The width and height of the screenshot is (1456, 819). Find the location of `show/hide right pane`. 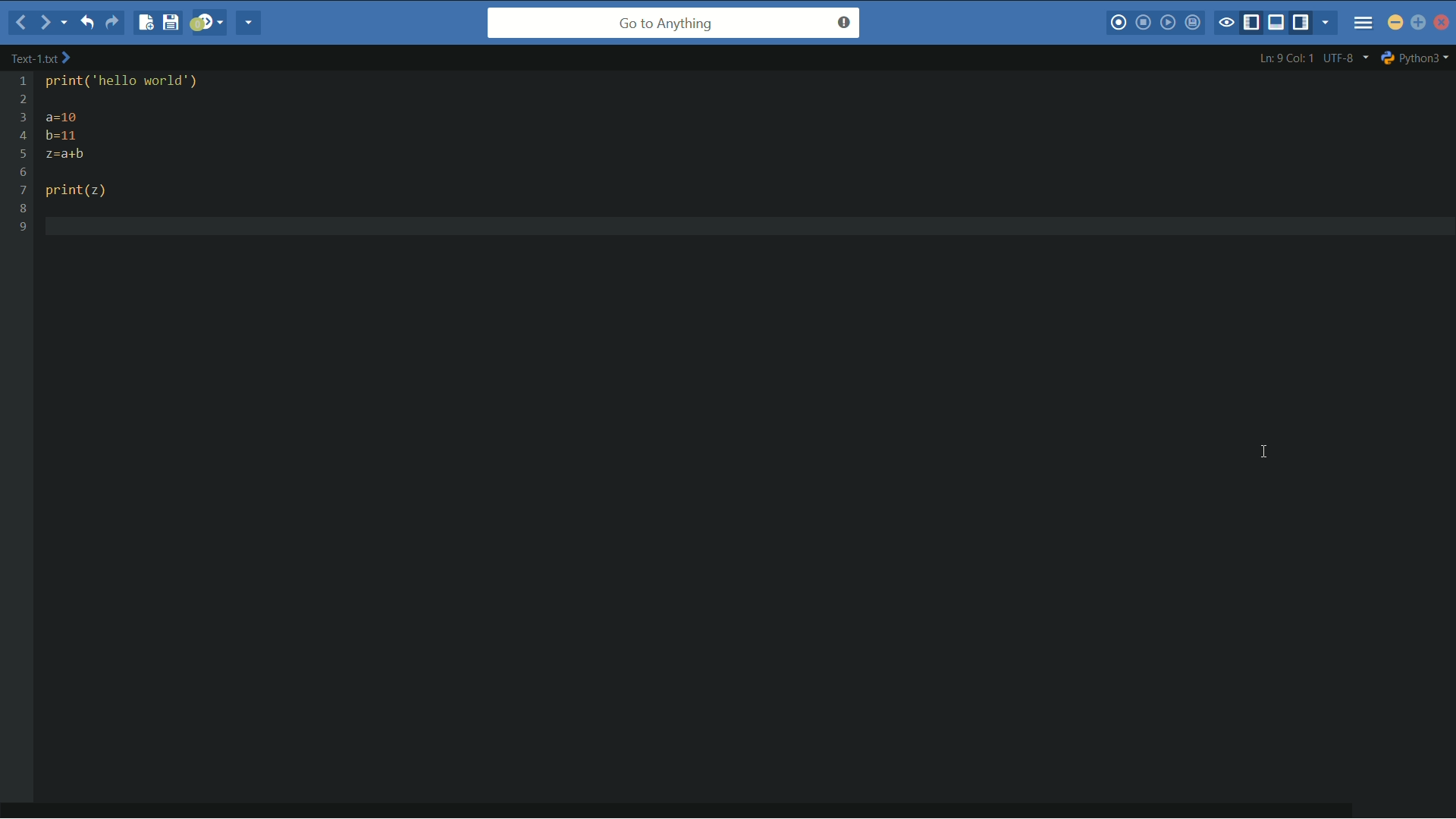

show/hide right pane is located at coordinates (1305, 24).